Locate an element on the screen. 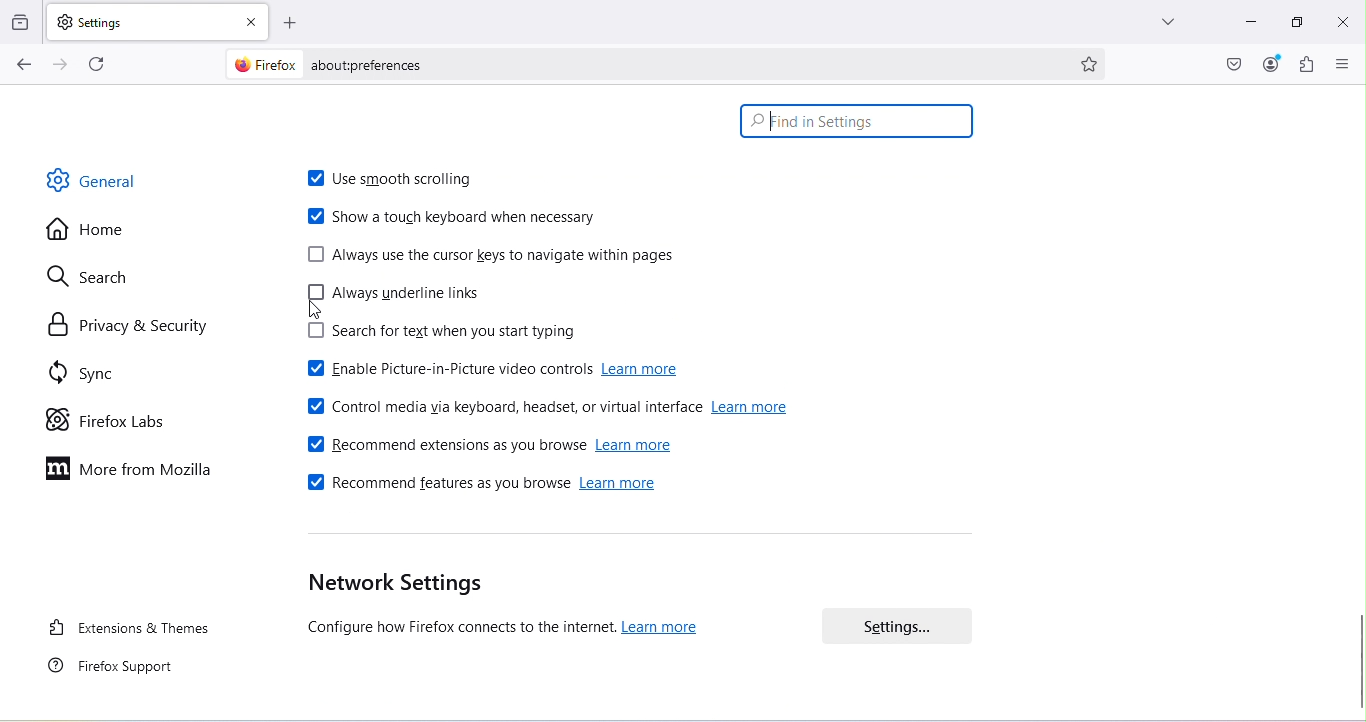  Settings is located at coordinates (906, 623).